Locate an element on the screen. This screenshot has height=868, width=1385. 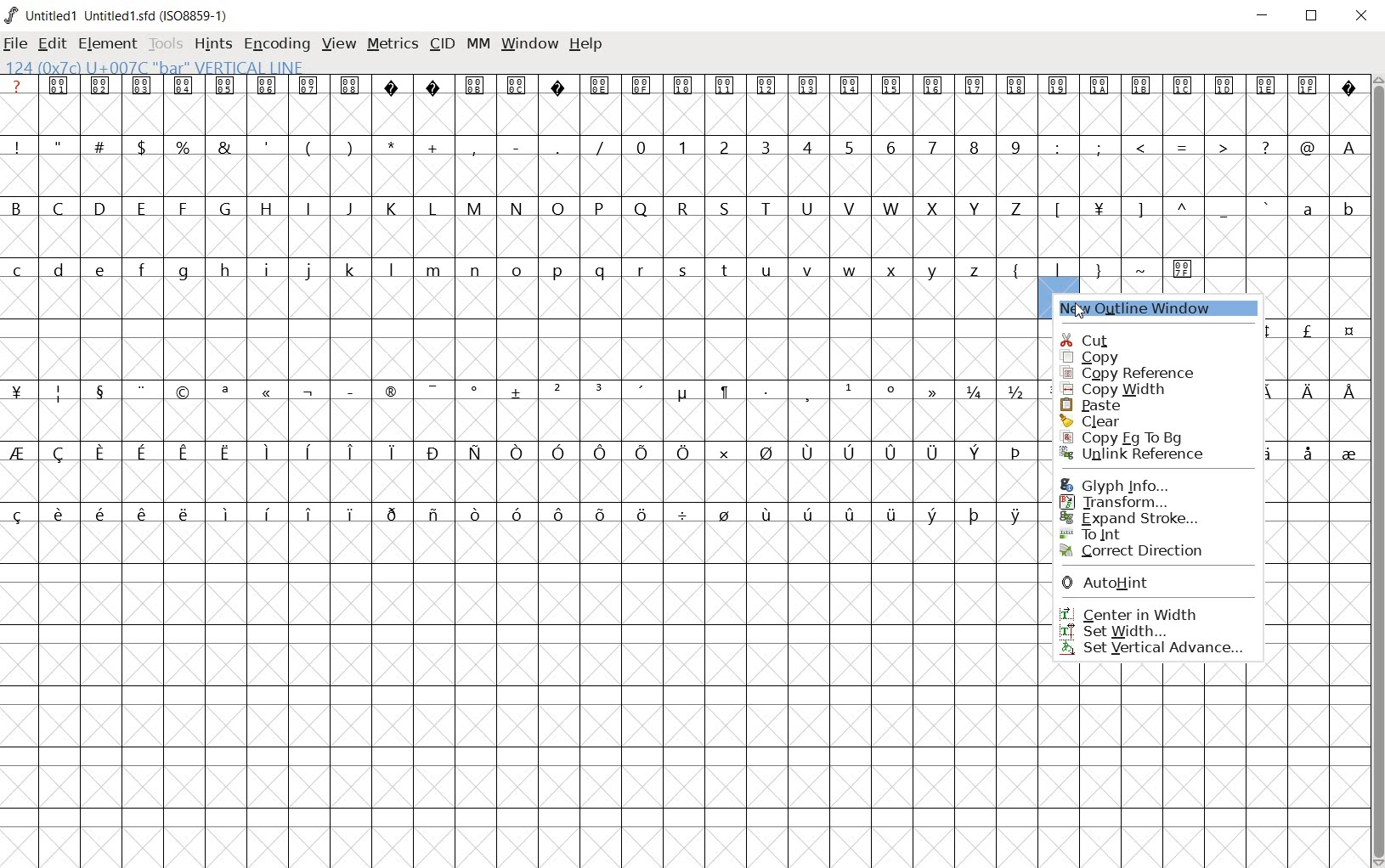
set vertical advance is located at coordinates (1153, 650).